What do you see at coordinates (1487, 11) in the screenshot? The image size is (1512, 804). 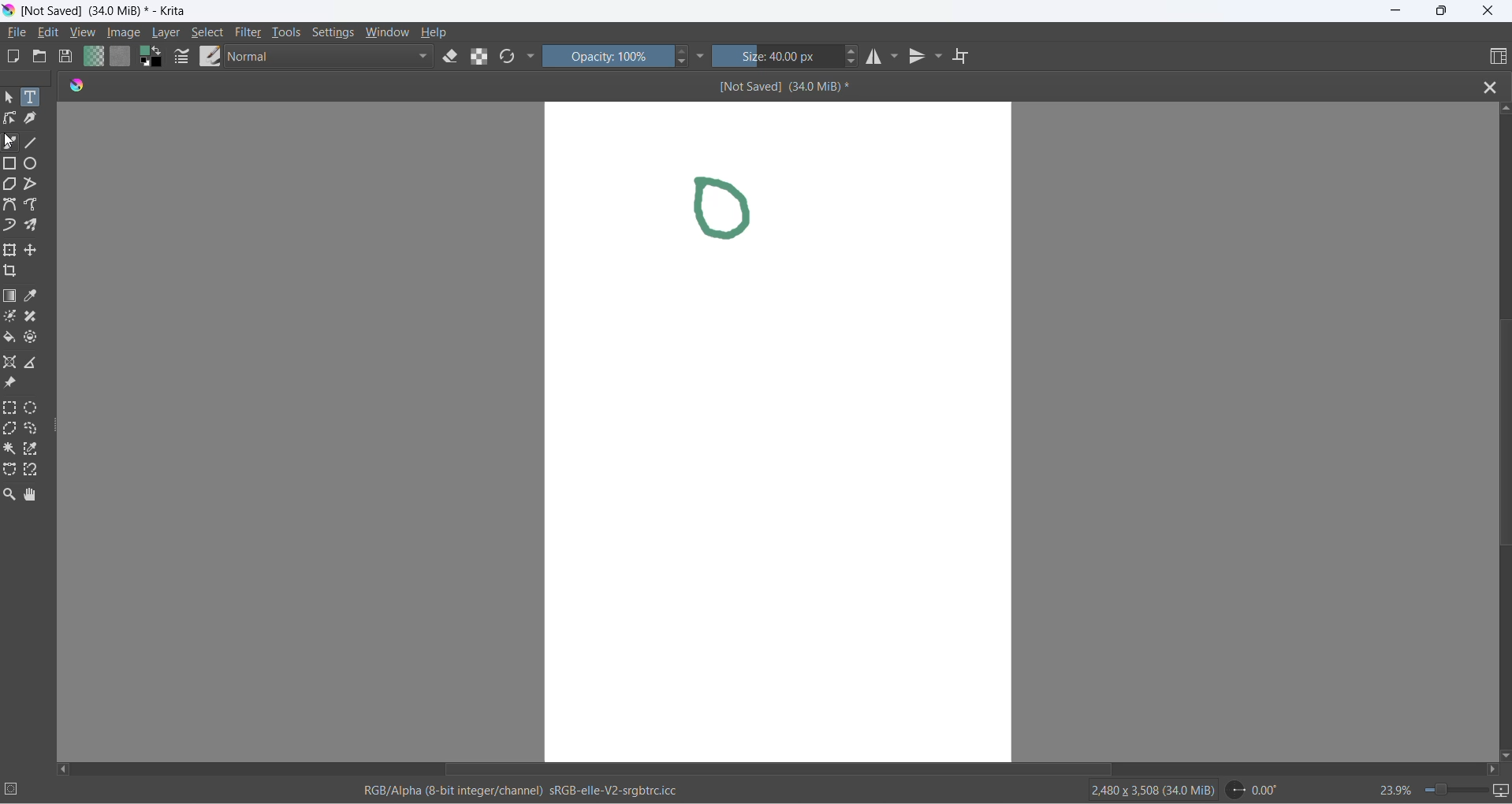 I see `close` at bounding box center [1487, 11].